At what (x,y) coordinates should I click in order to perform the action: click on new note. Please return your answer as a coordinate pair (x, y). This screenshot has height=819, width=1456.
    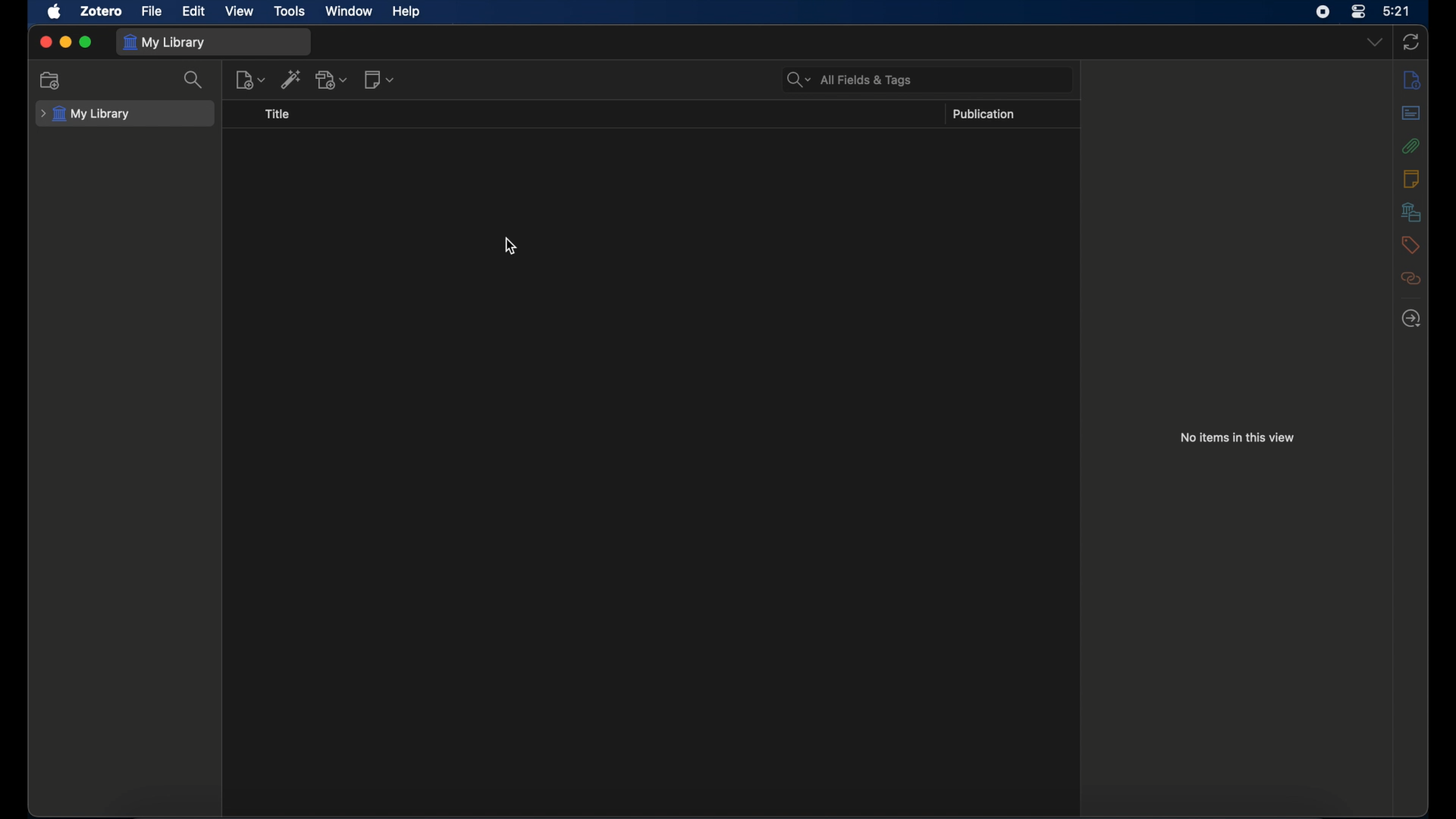
    Looking at the image, I should click on (379, 79).